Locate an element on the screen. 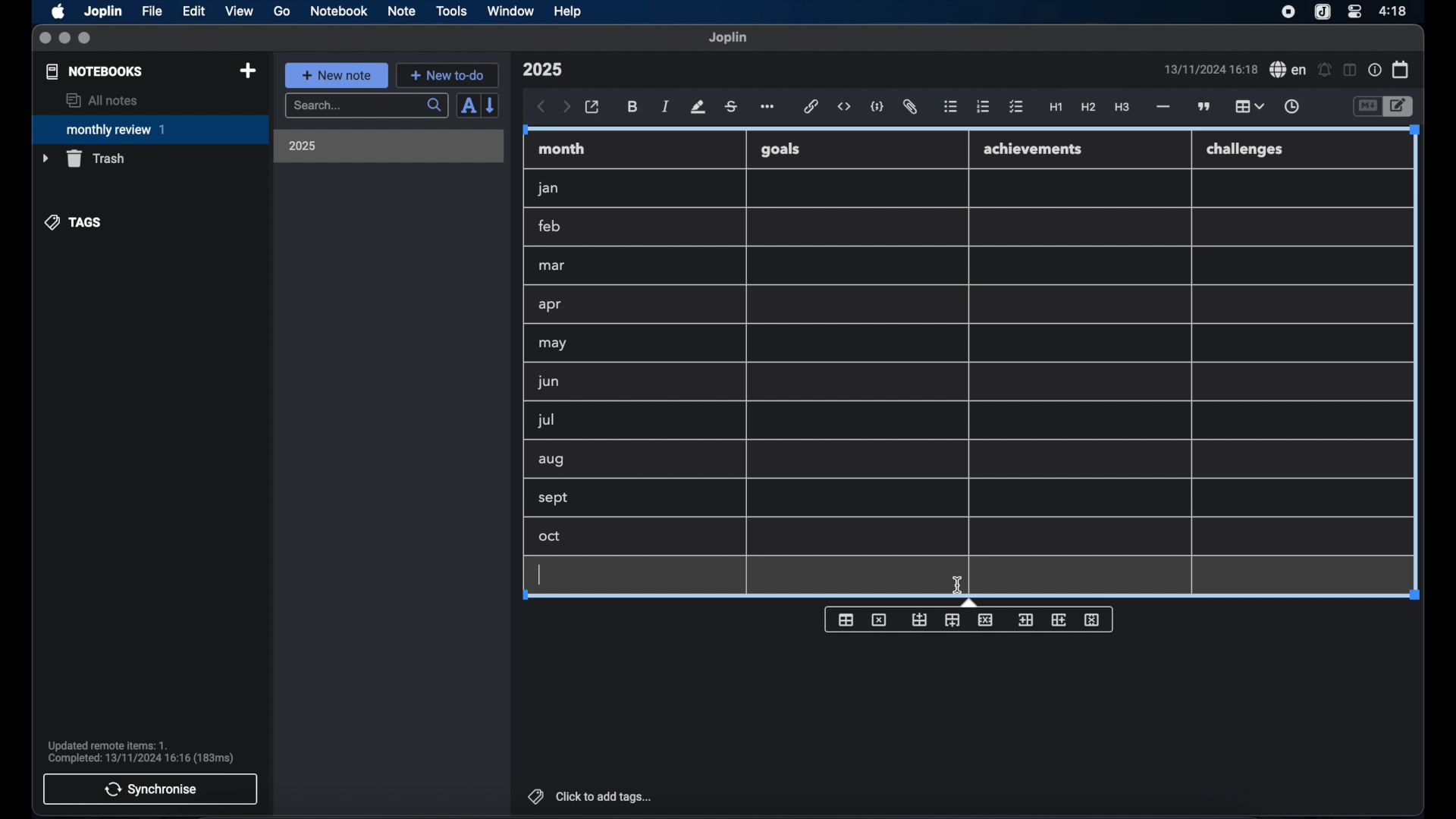 This screenshot has width=1456, height=819. insert column before is located at coordinates (1025, 619).